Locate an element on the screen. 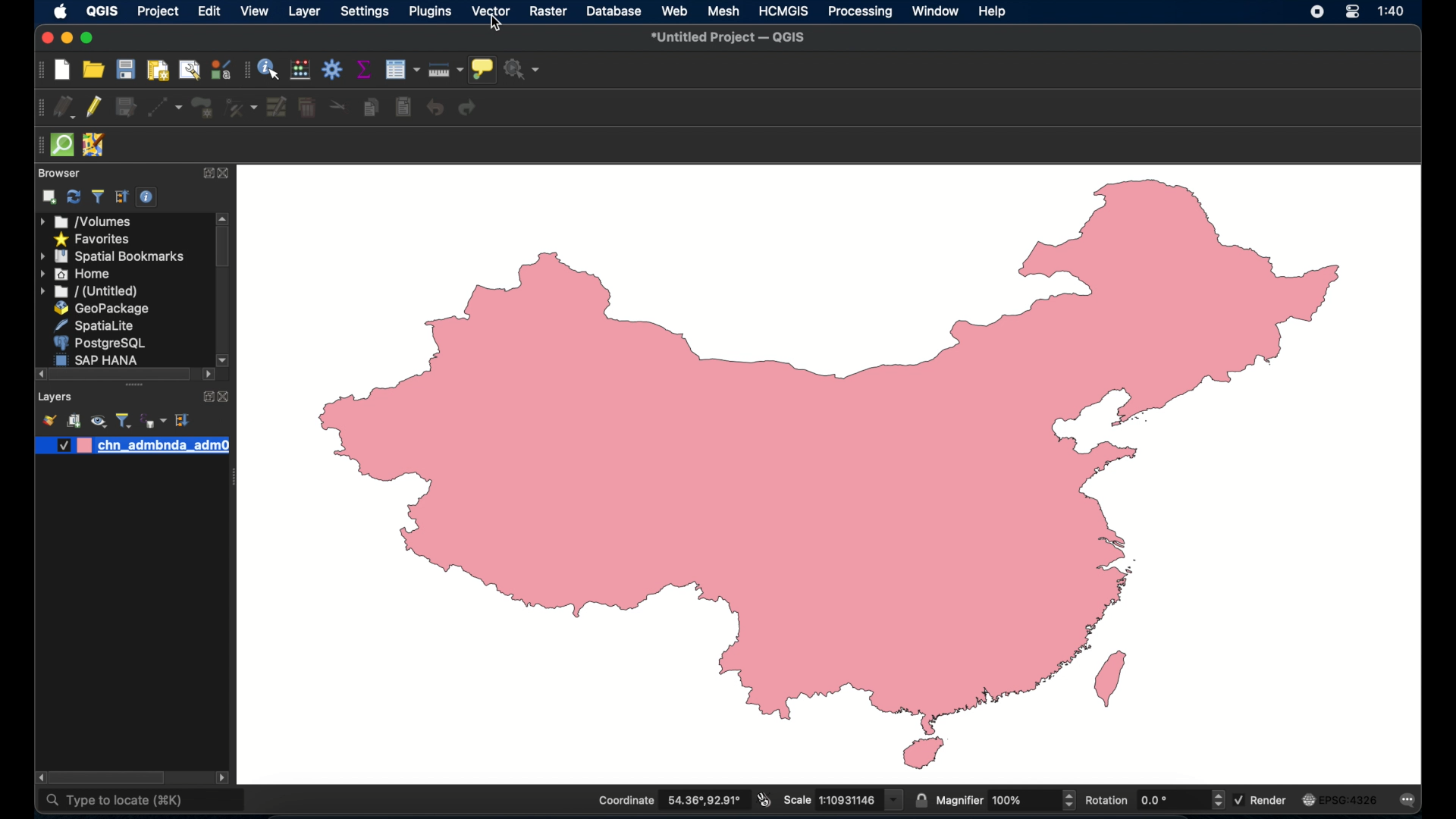 This screenshot has height=819, width=1456. expand all is located at coordinates (122, 197).